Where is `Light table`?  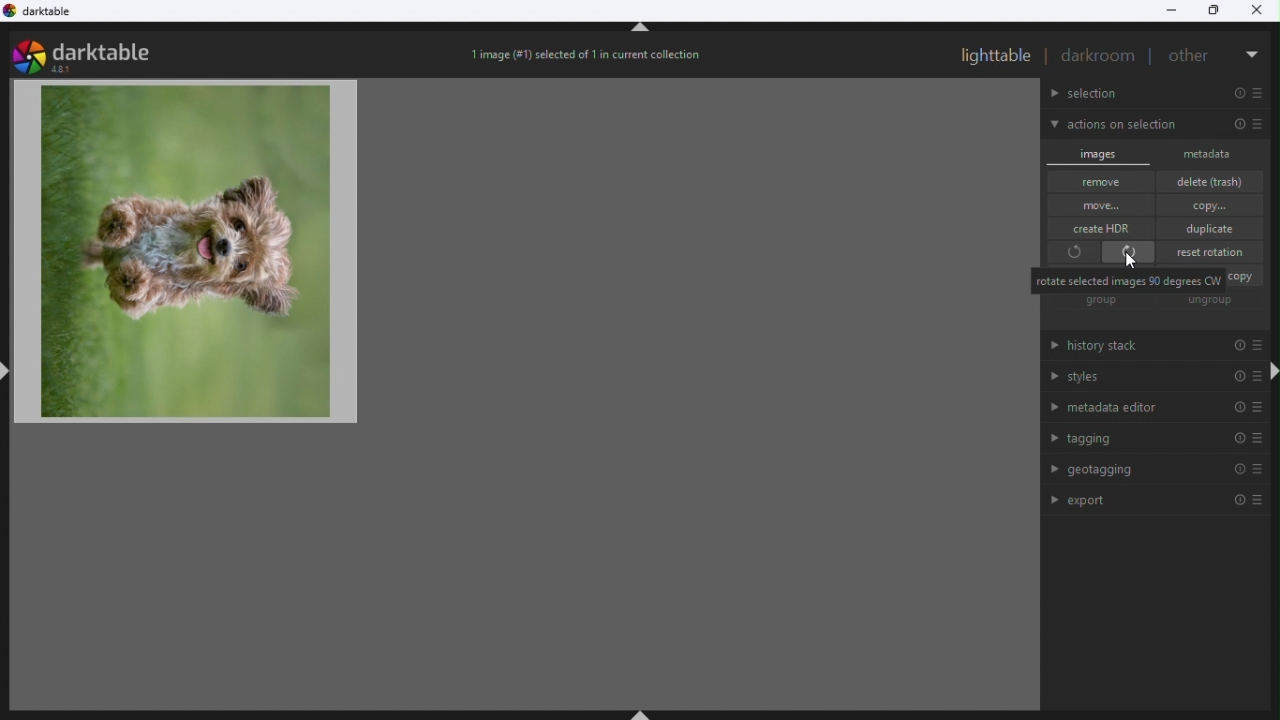 Light table is located at coordinates (996, 55).